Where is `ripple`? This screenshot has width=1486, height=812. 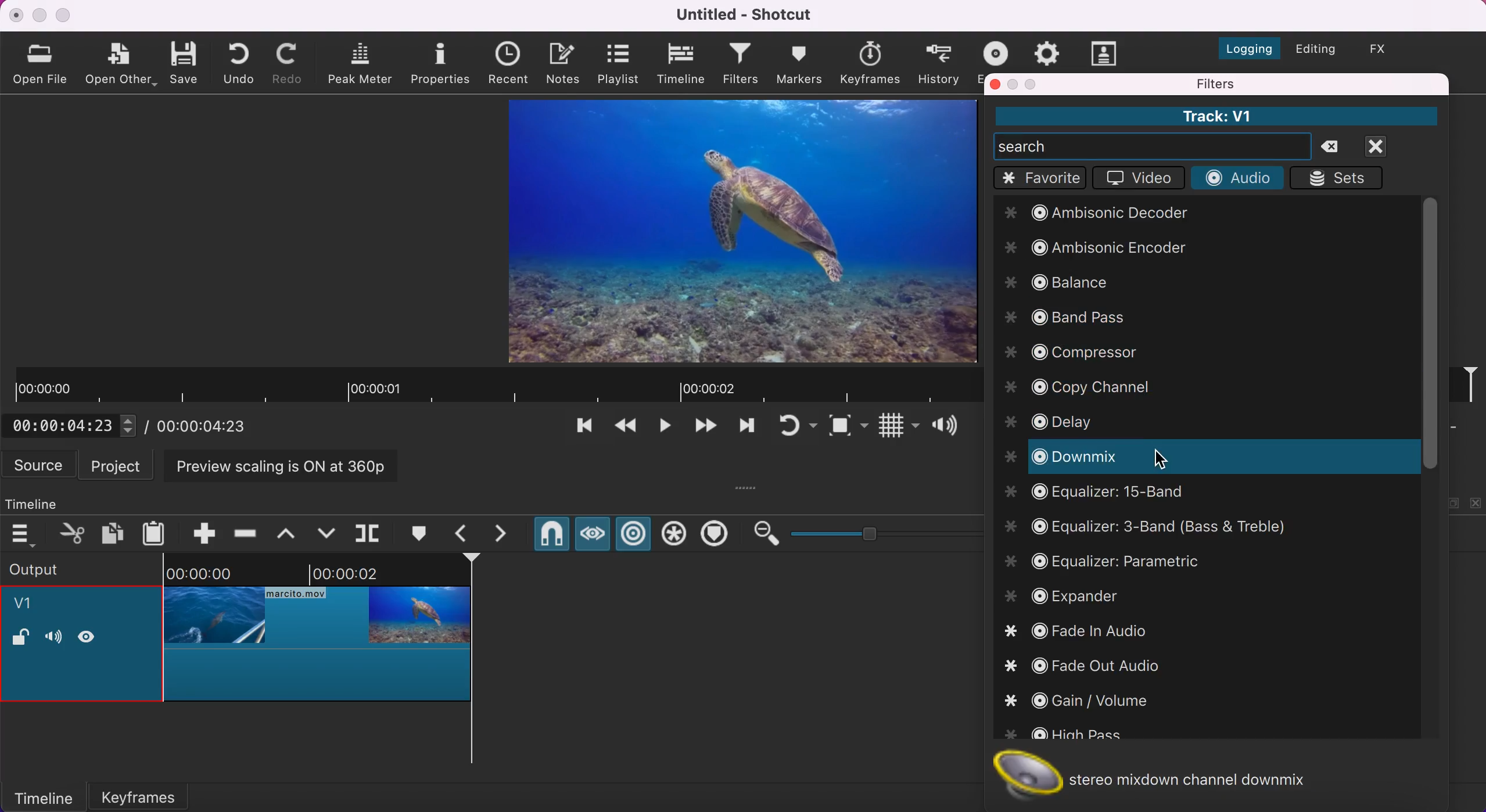
ripple is located at coordinates (634, 535).